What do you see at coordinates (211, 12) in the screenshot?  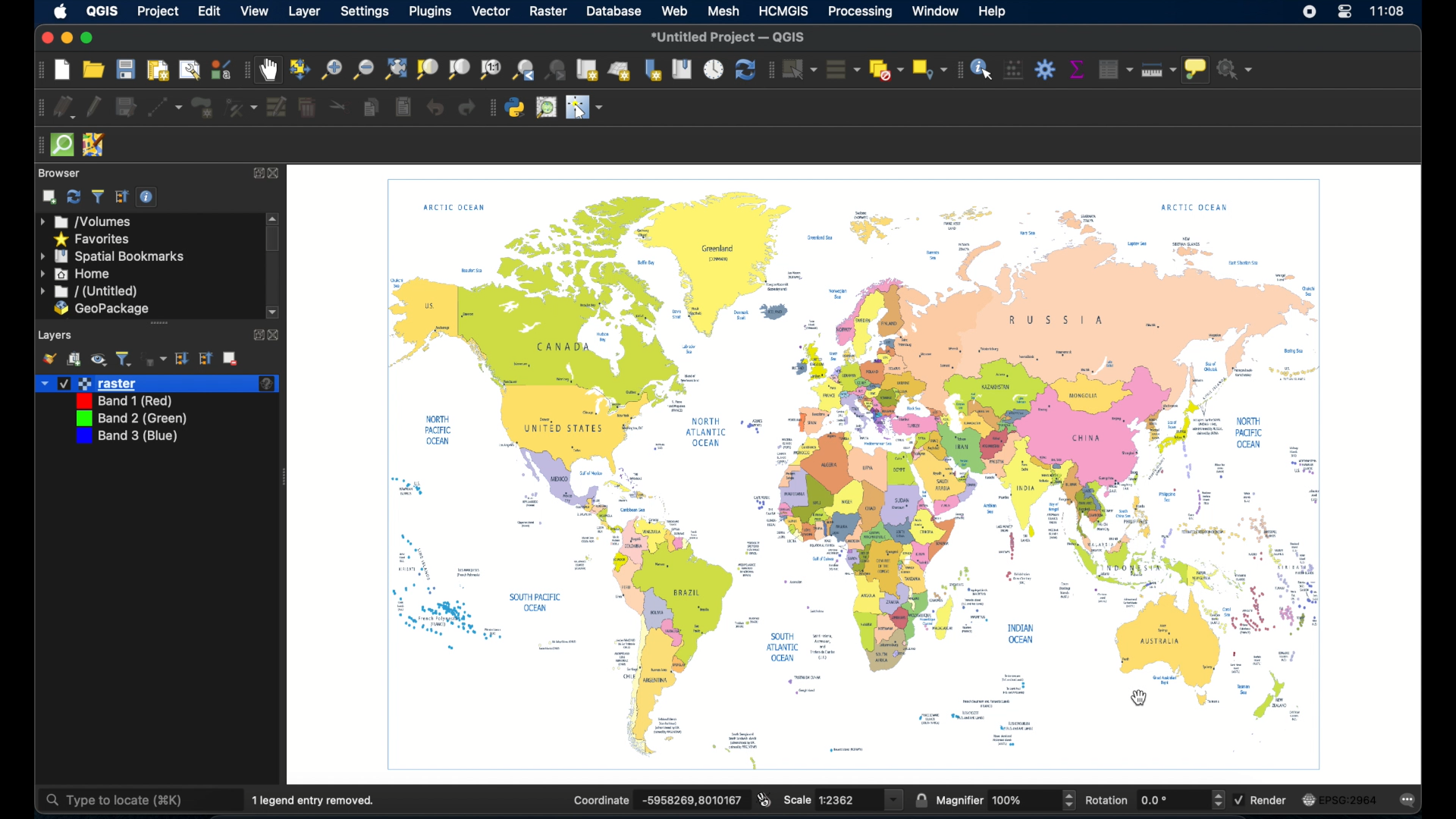 I see `edit` at bounding box center [211, 12].